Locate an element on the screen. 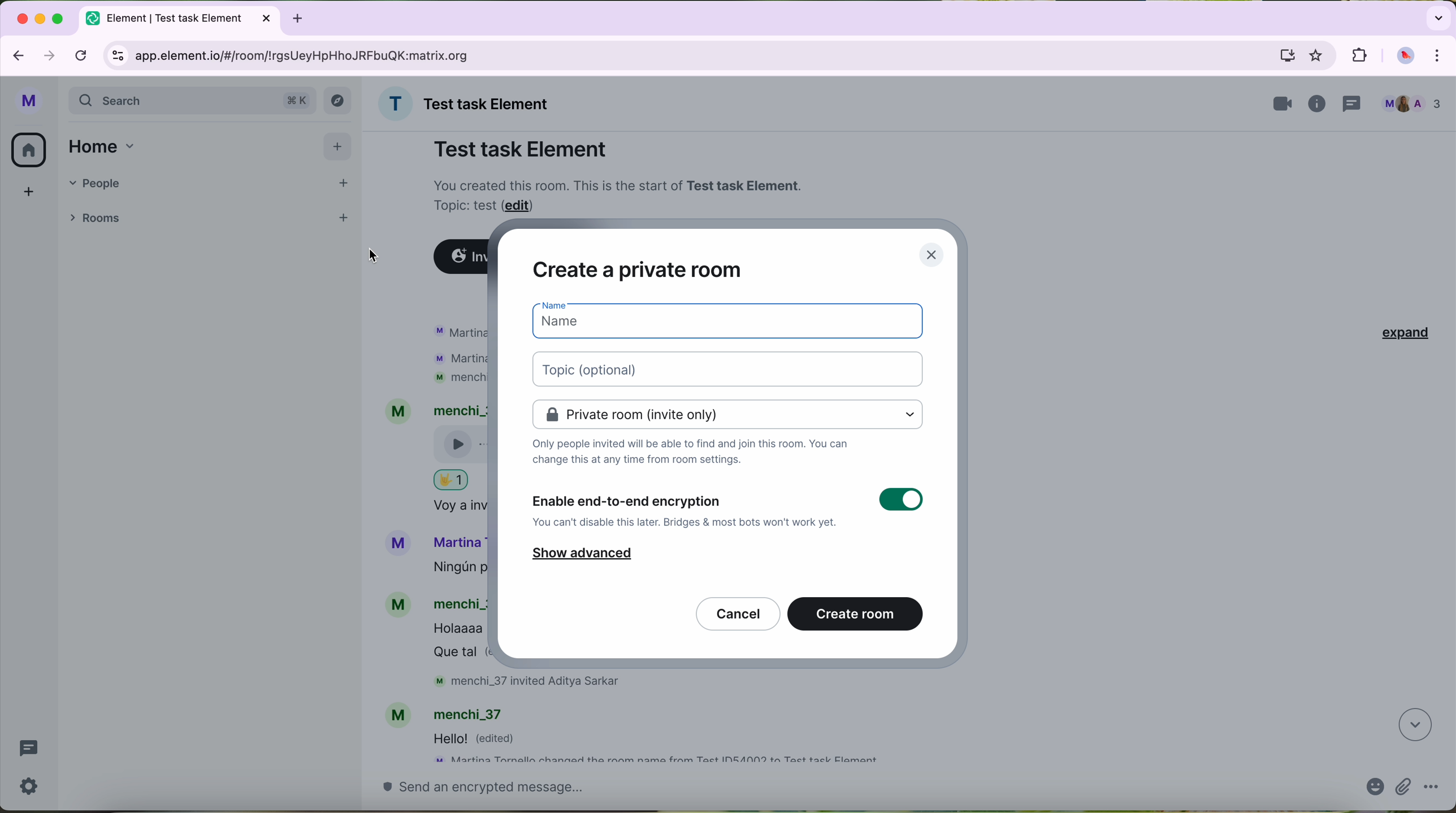 The height and width of the screenshot is (813, 1456). people tab is located at coordinates (211, 182).